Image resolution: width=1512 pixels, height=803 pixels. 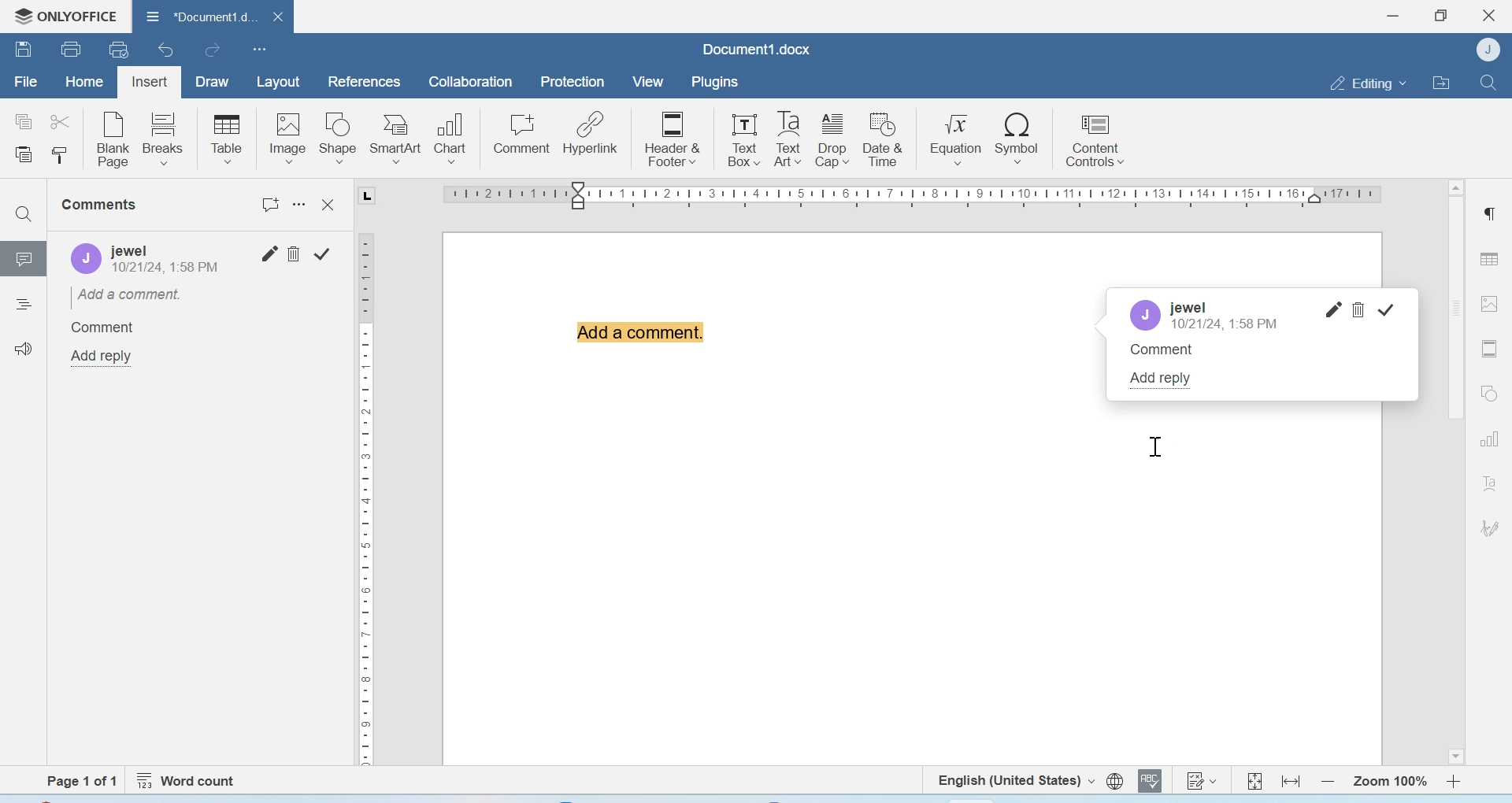 I want to click on Set text language, so click(x=1014, y=779).